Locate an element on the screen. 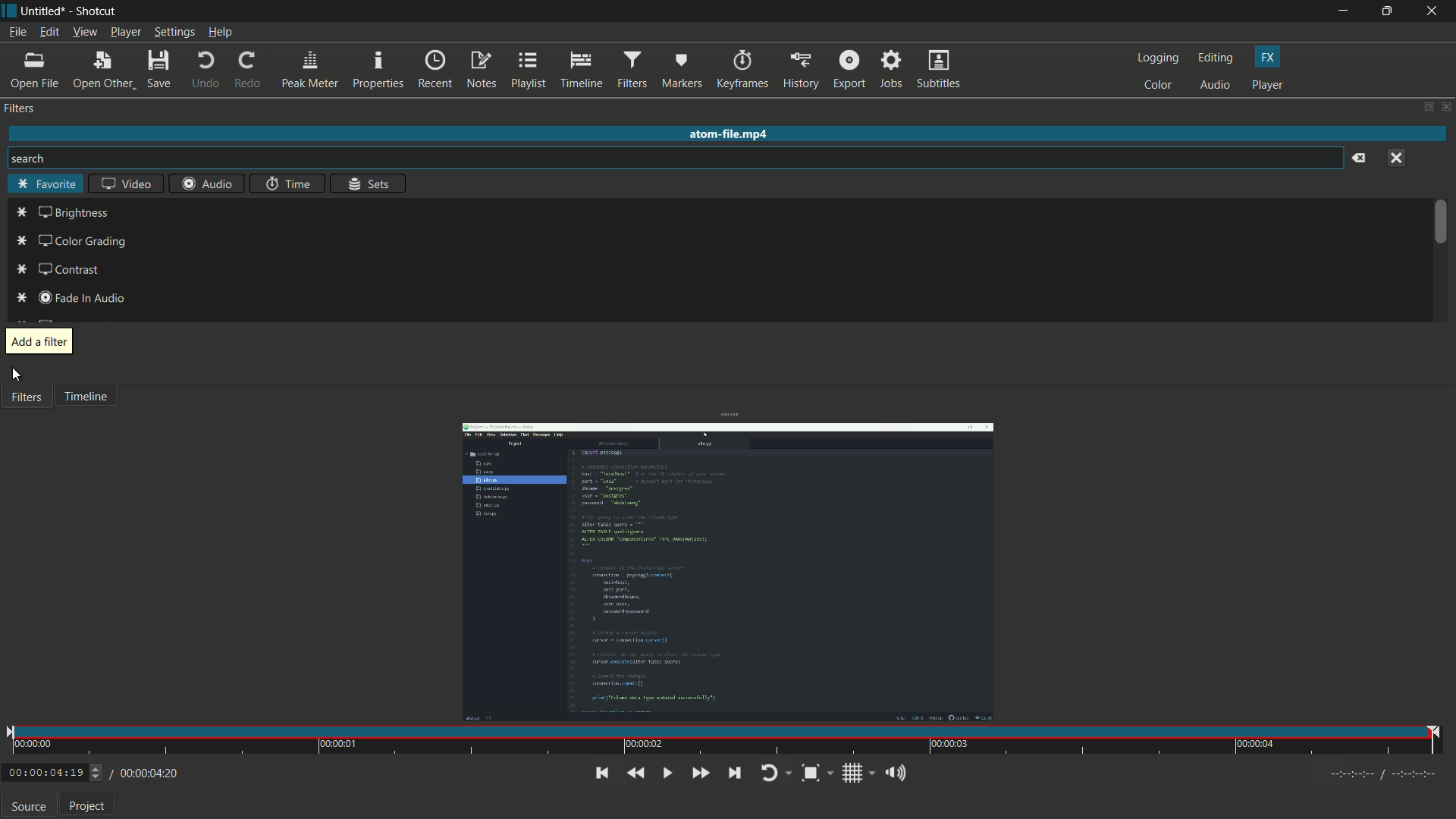 The height and width of the screenshot is (819, 1456). subtitles is located at coordinates (938, 71).